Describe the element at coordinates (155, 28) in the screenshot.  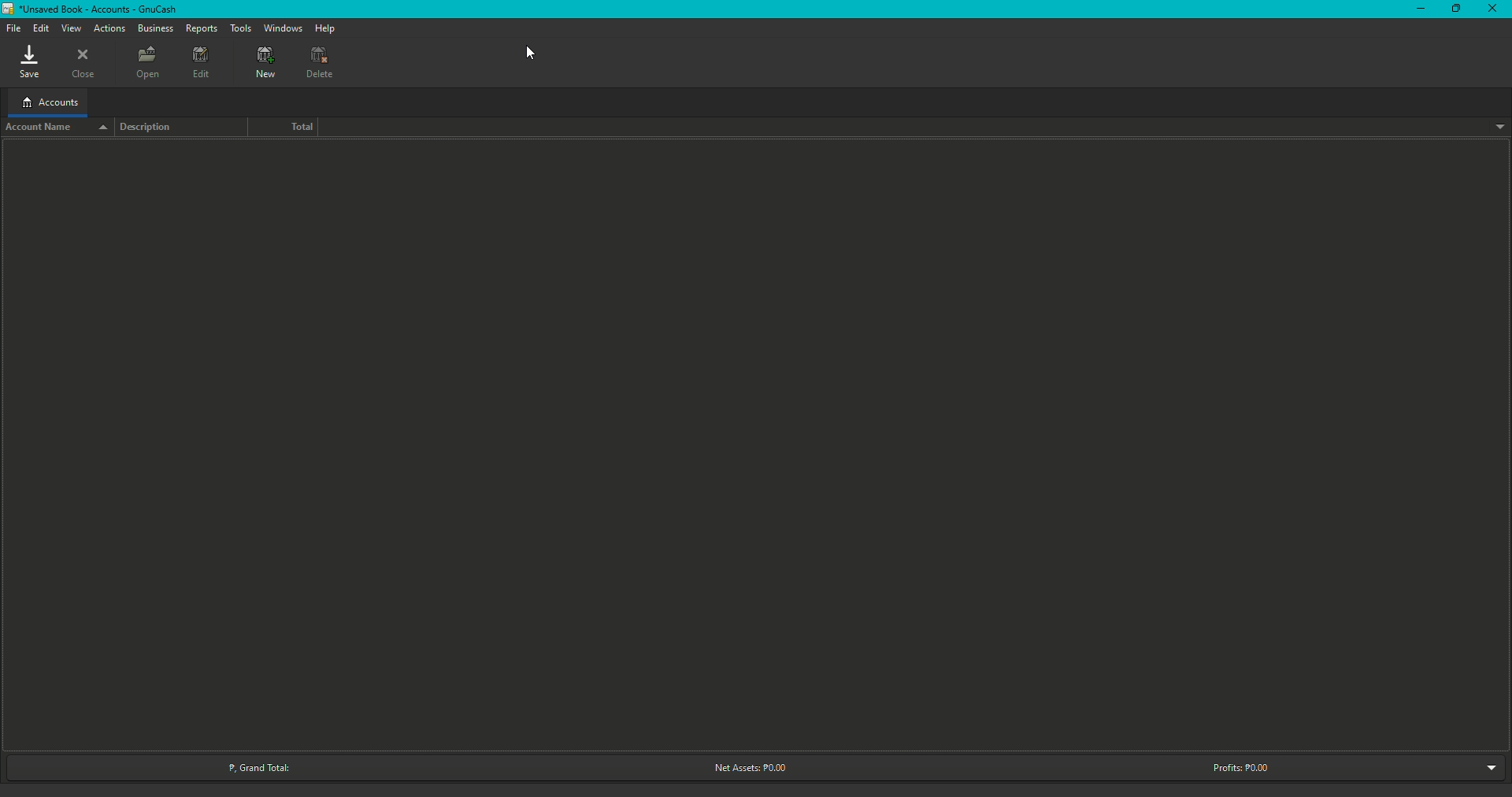
I see `Business` at that location.